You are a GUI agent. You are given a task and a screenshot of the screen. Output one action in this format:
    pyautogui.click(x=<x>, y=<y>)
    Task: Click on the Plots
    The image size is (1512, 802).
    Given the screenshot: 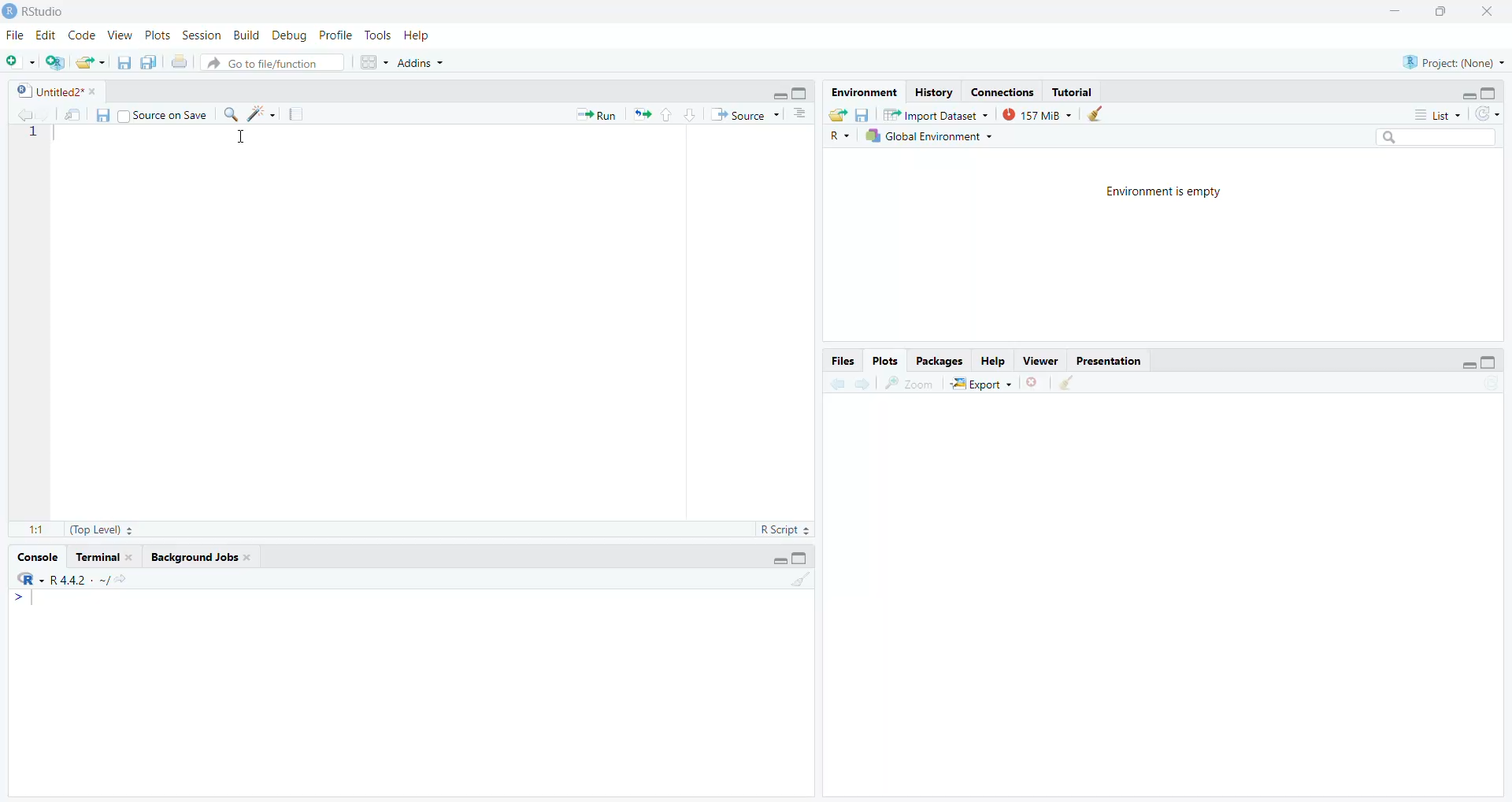 What is the action you would take?
    pyautogui.click(x=885, y=359)
    